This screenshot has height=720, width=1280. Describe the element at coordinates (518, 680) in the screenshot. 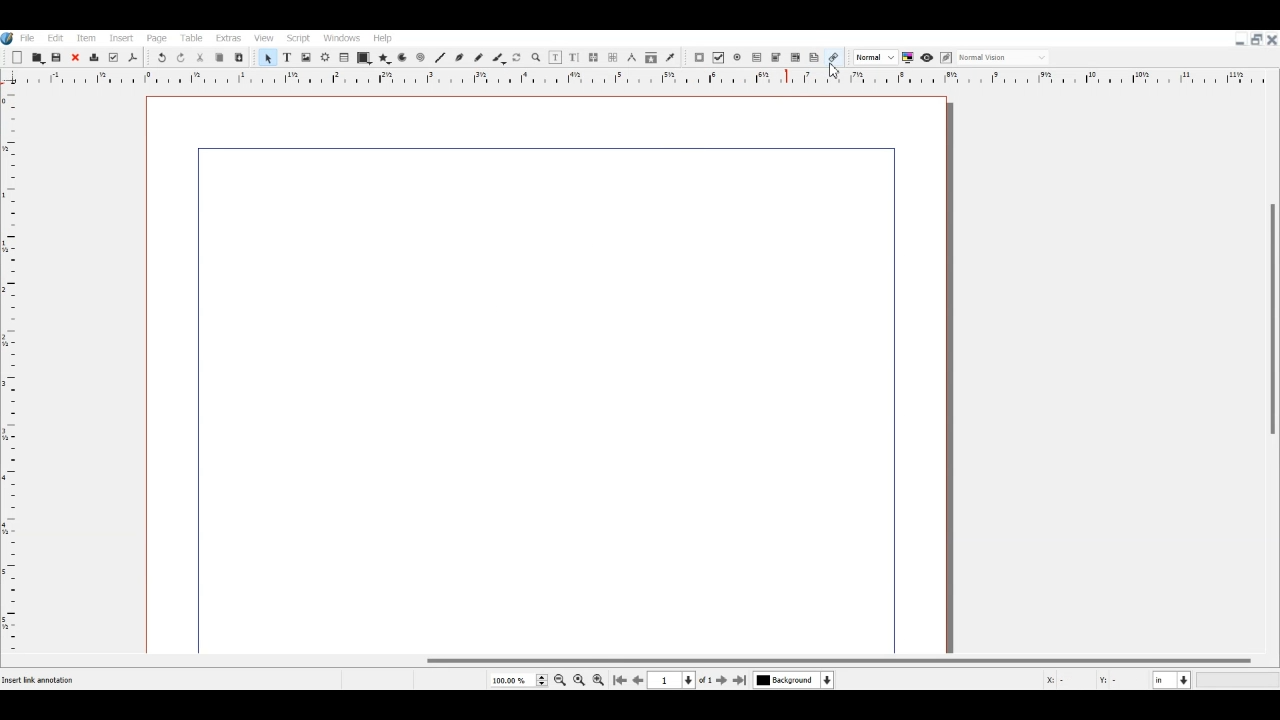

I see `Select Current Page` at that location.